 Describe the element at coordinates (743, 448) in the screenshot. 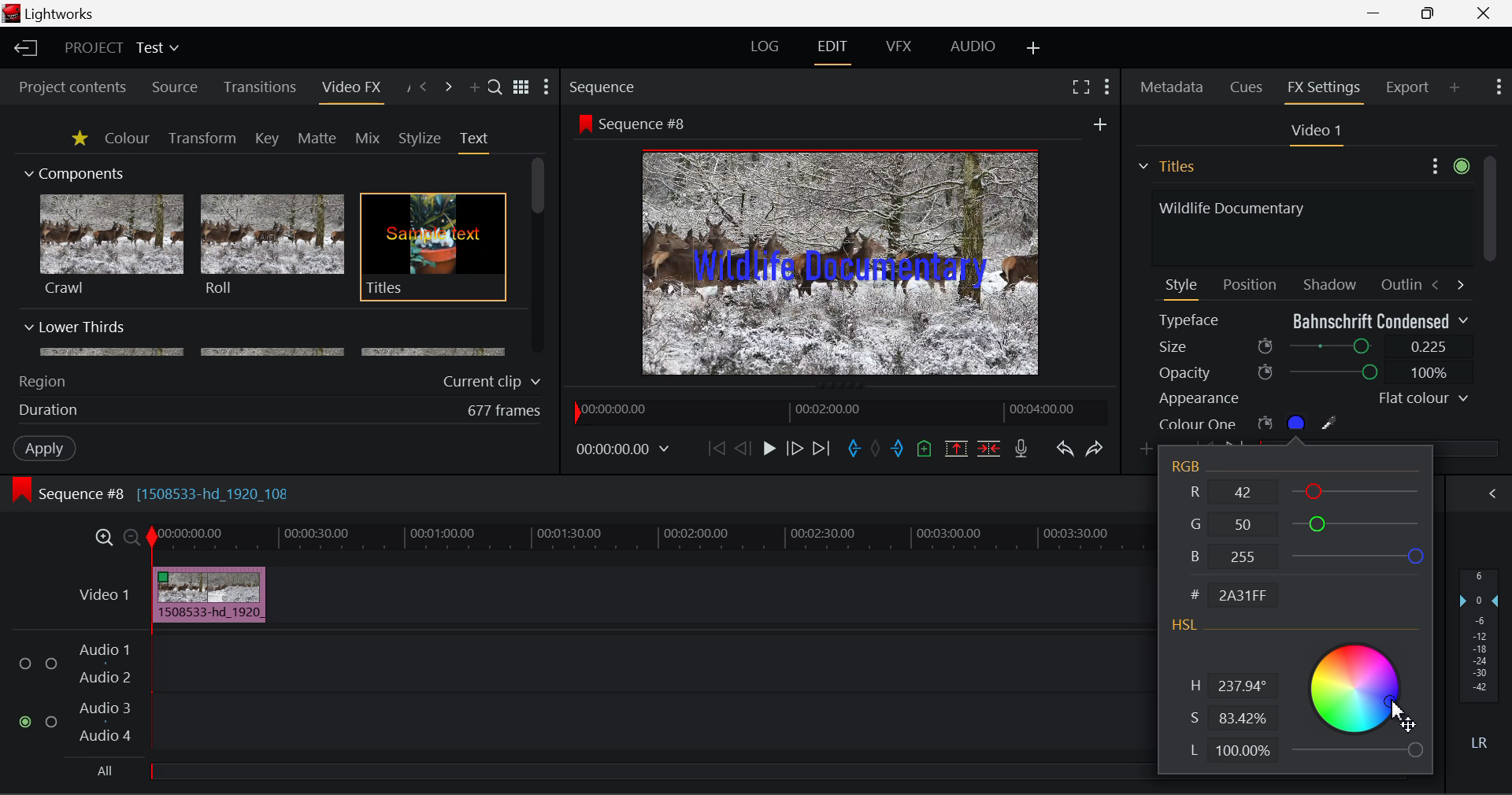

I see `Go Back` at that location.